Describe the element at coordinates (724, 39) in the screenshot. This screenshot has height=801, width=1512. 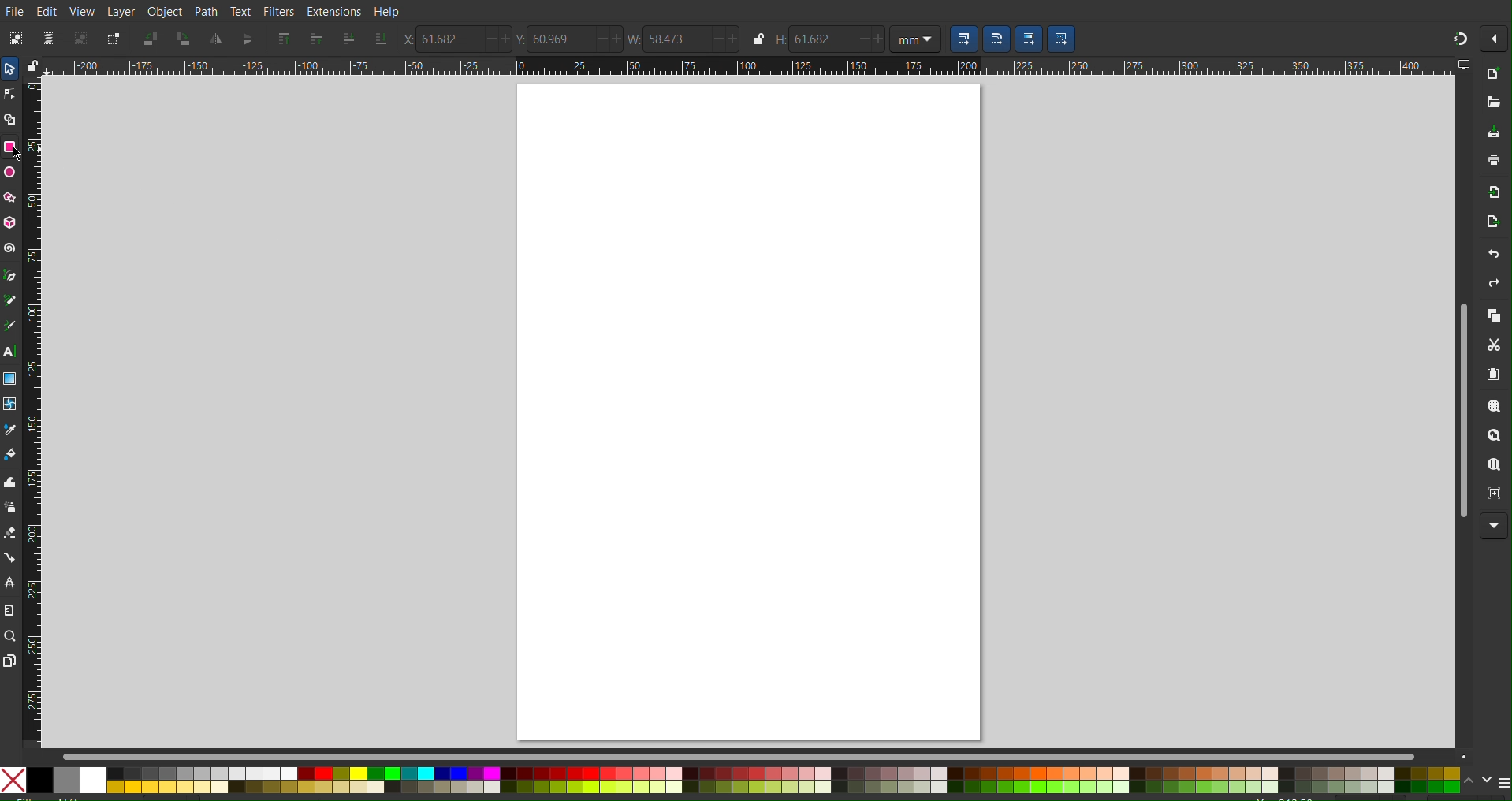
I see `increase/decrease` at that location.